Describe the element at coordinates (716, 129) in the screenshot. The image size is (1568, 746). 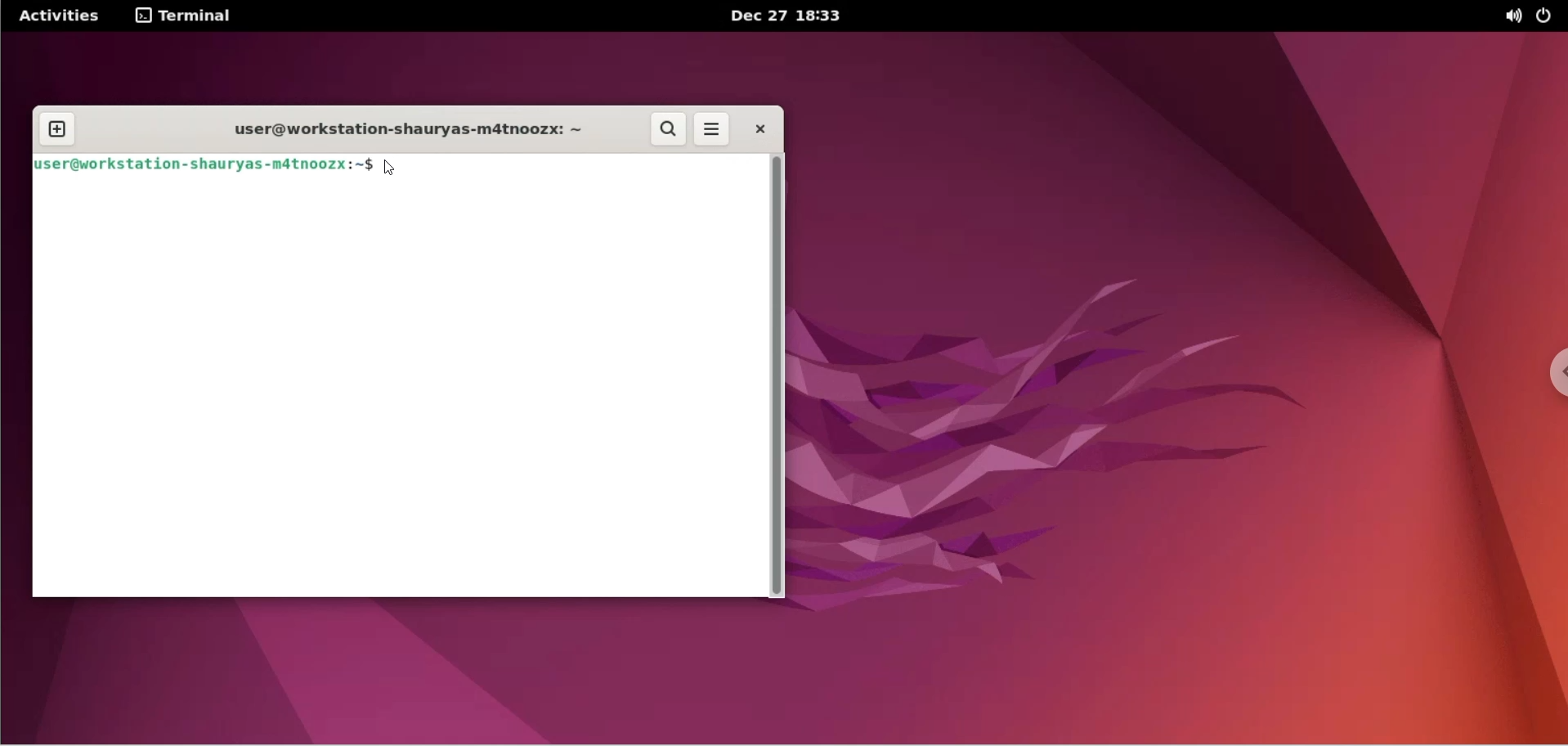
I see `more options` at that location.